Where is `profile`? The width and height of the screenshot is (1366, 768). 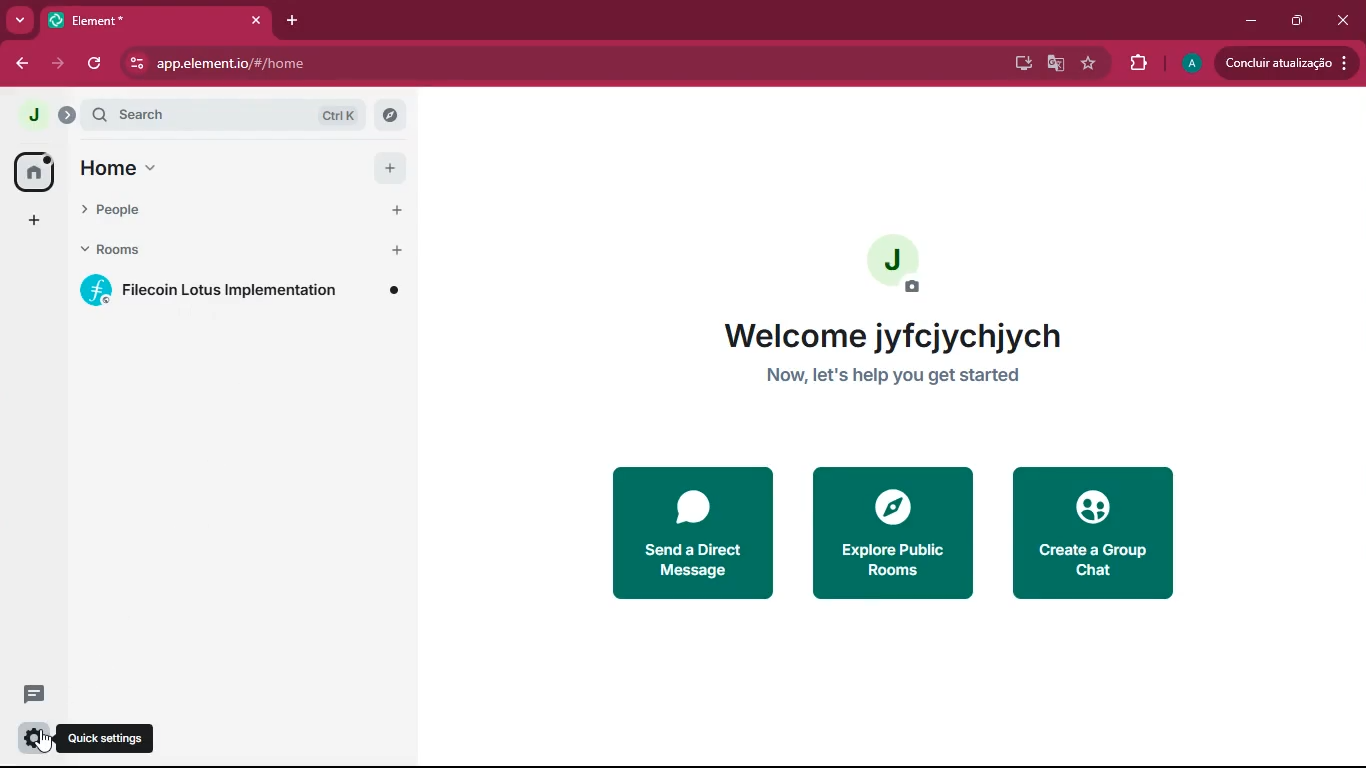 profile is located at coordinates (1188, 63).